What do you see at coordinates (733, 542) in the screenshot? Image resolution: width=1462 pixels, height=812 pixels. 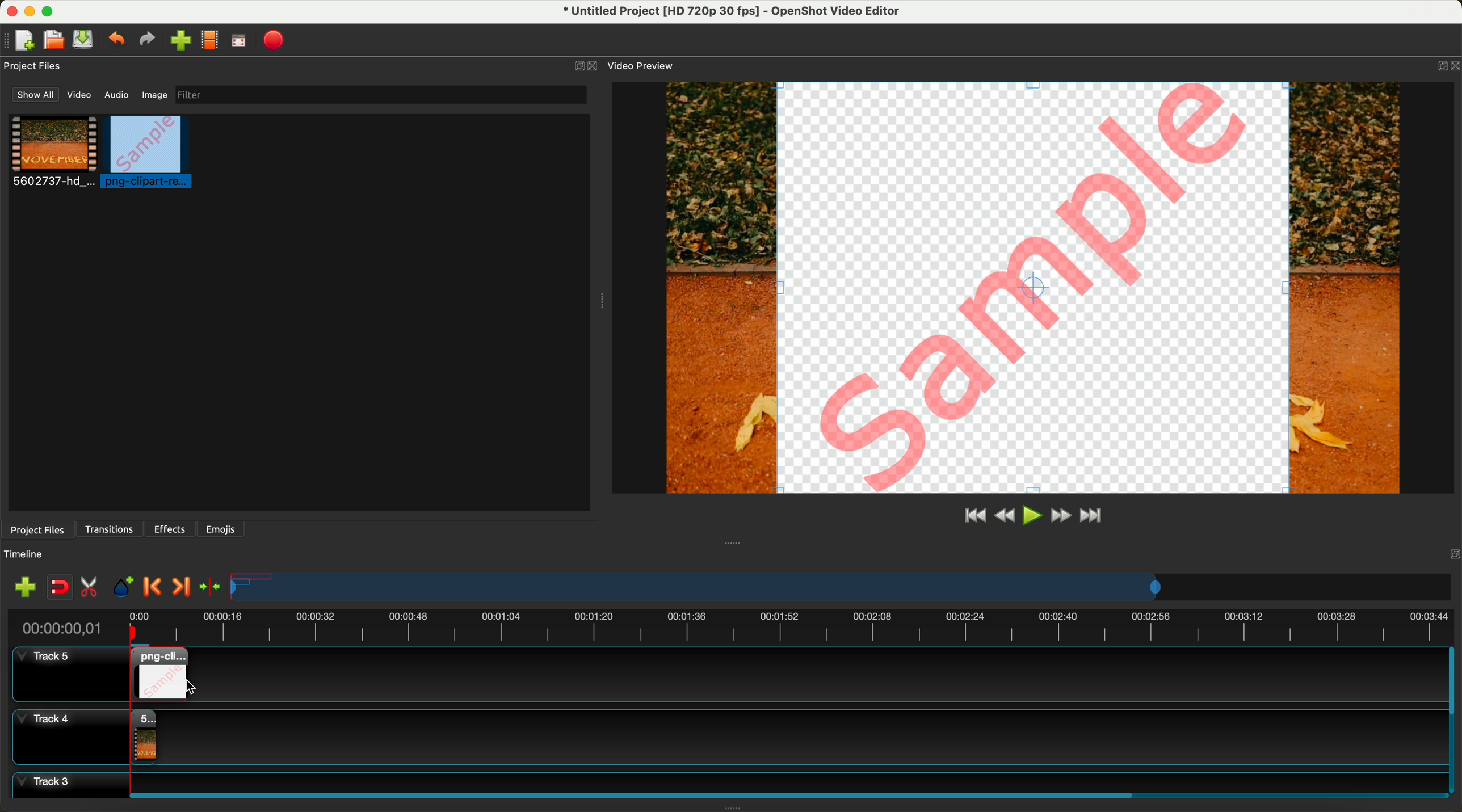 I see `Window Expanding` at bounding box center [733, 542].